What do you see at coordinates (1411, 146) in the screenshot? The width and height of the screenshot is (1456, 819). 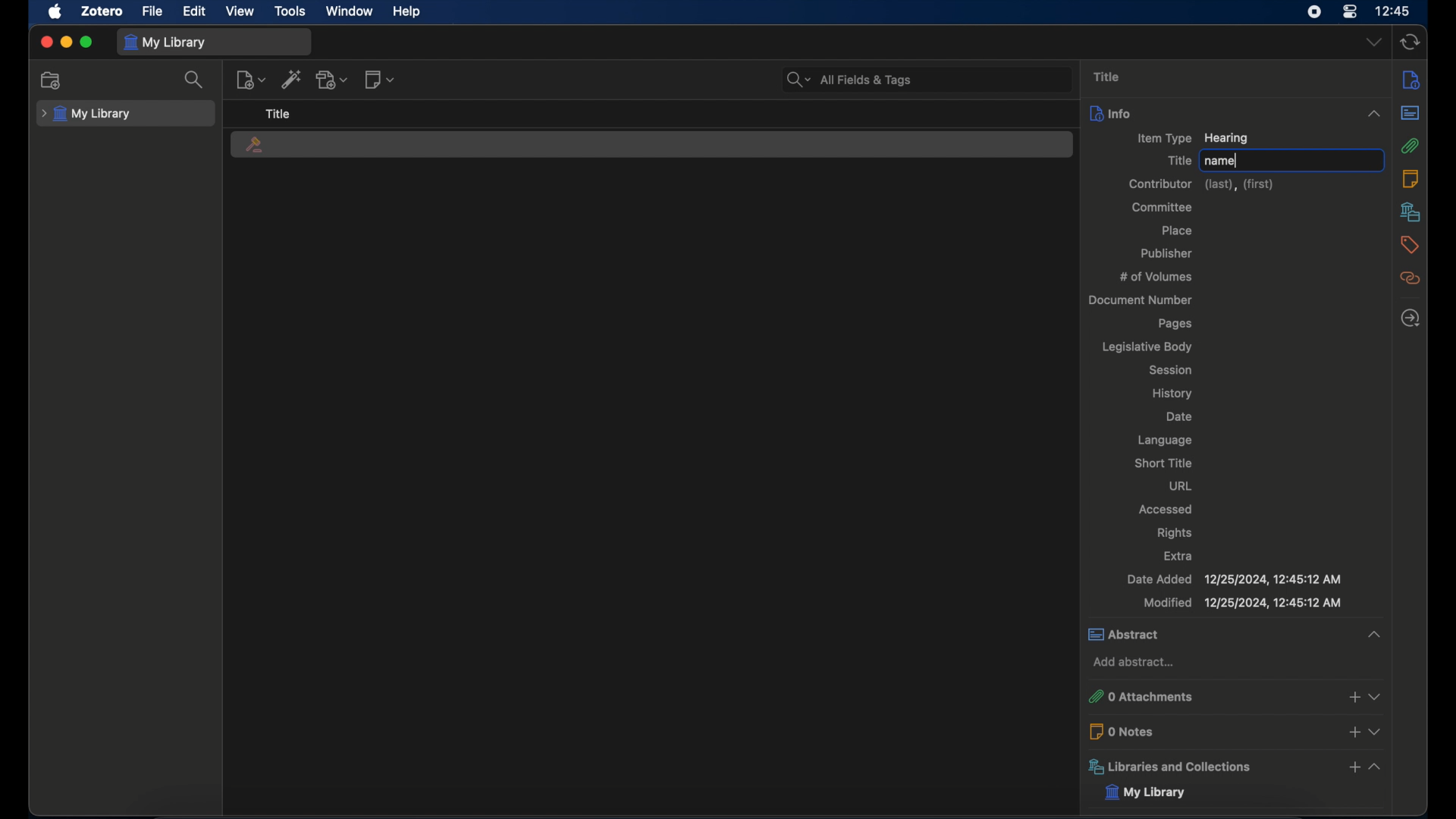 I see `attachments` at bounding box center [1411, 146].